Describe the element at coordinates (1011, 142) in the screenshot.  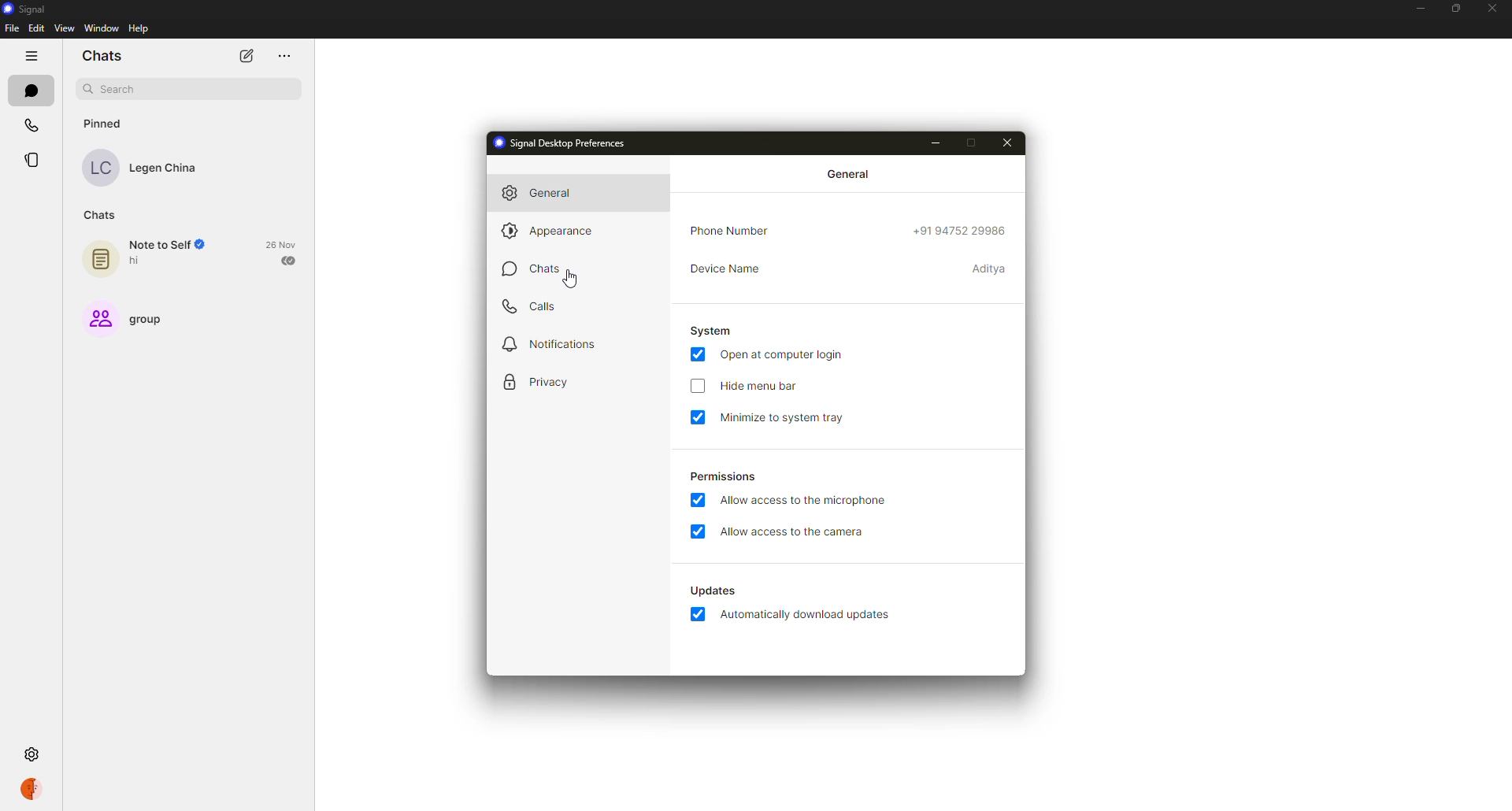
I see `close` at that location.